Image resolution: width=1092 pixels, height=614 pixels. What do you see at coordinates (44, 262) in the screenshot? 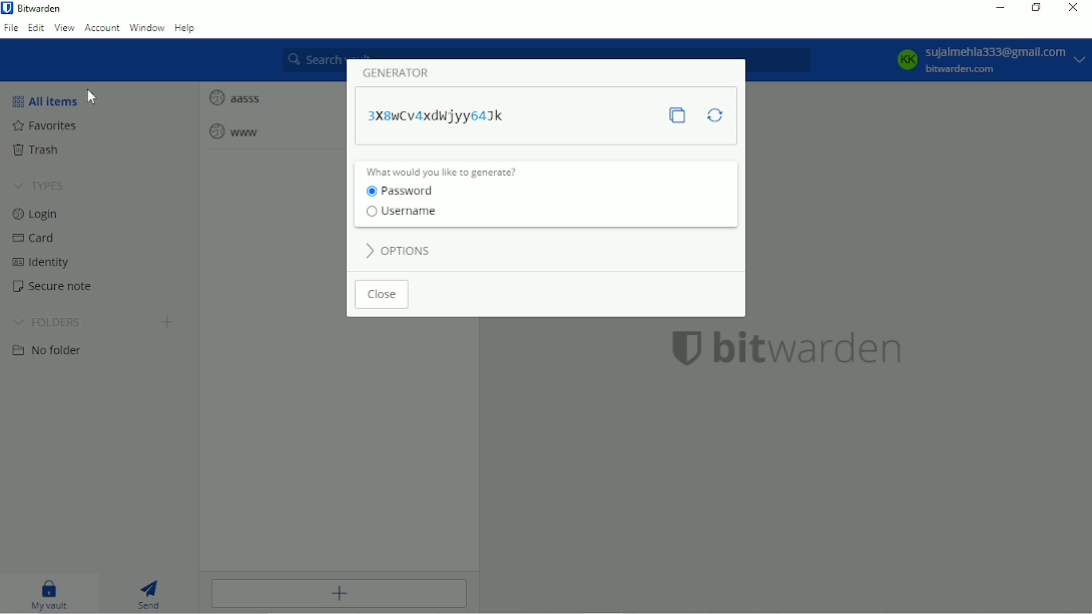
I see `Identity` at bounding box center [44, 262].